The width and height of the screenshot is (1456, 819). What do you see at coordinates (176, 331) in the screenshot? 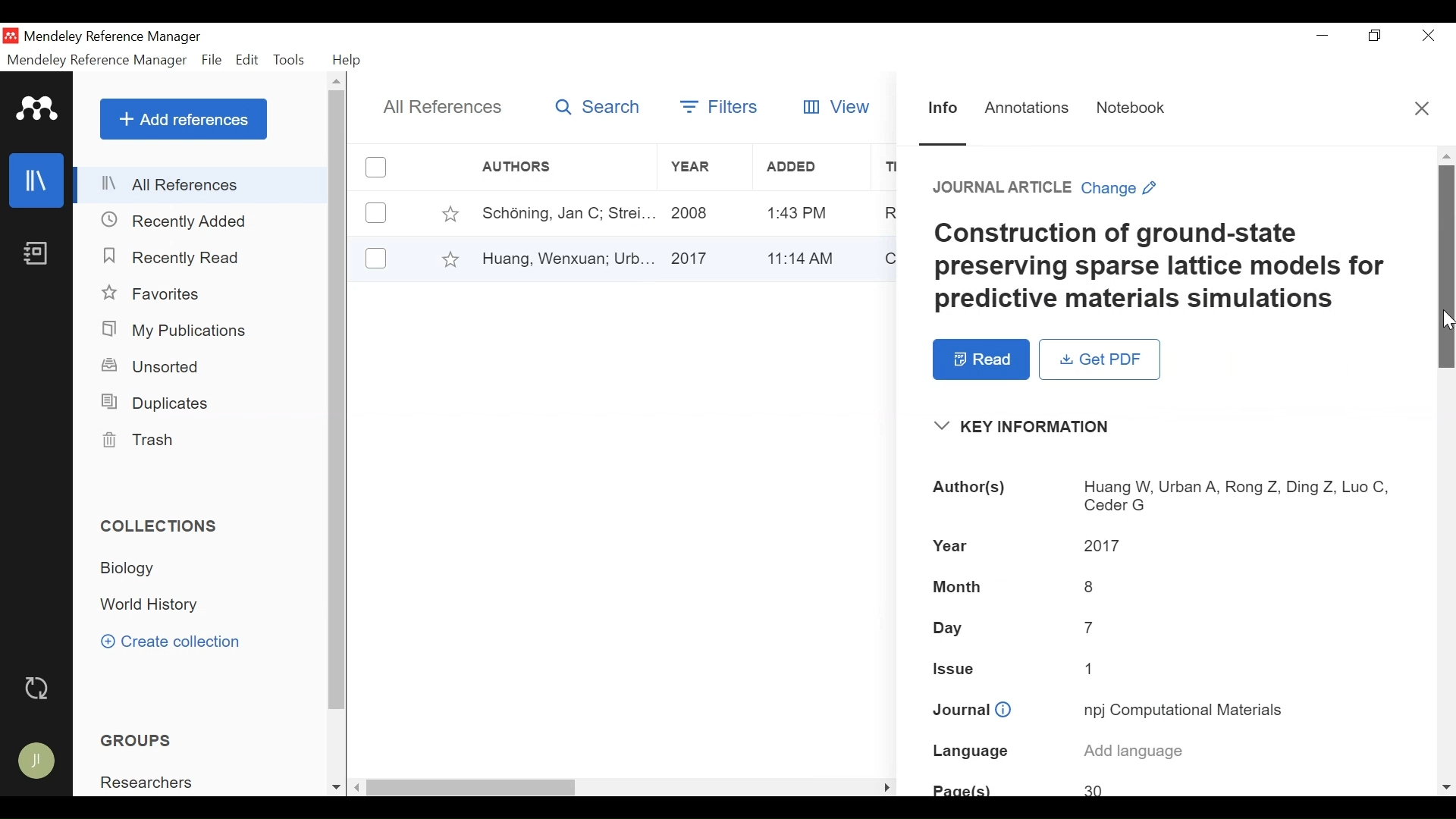
I see `My Publications` at bounding box center [176, 331].